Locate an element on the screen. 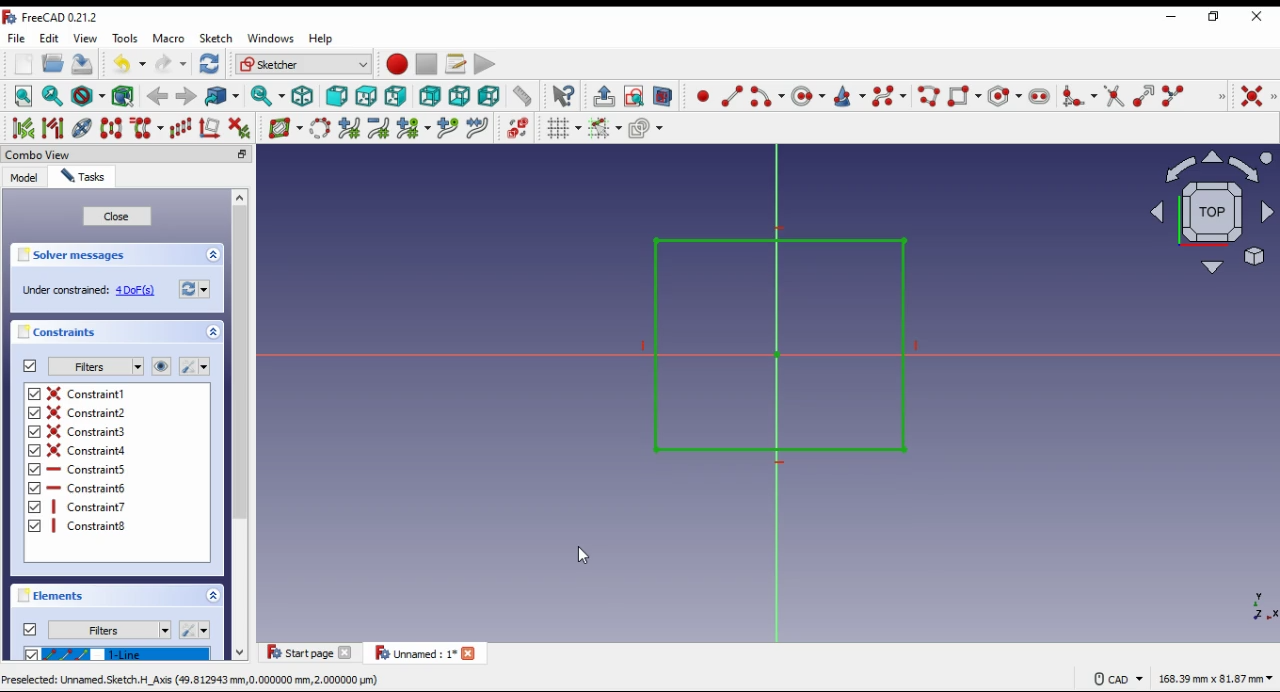 The width and height of the screenshot is (1280, 692). what's this is located at coordinates (563, 96).